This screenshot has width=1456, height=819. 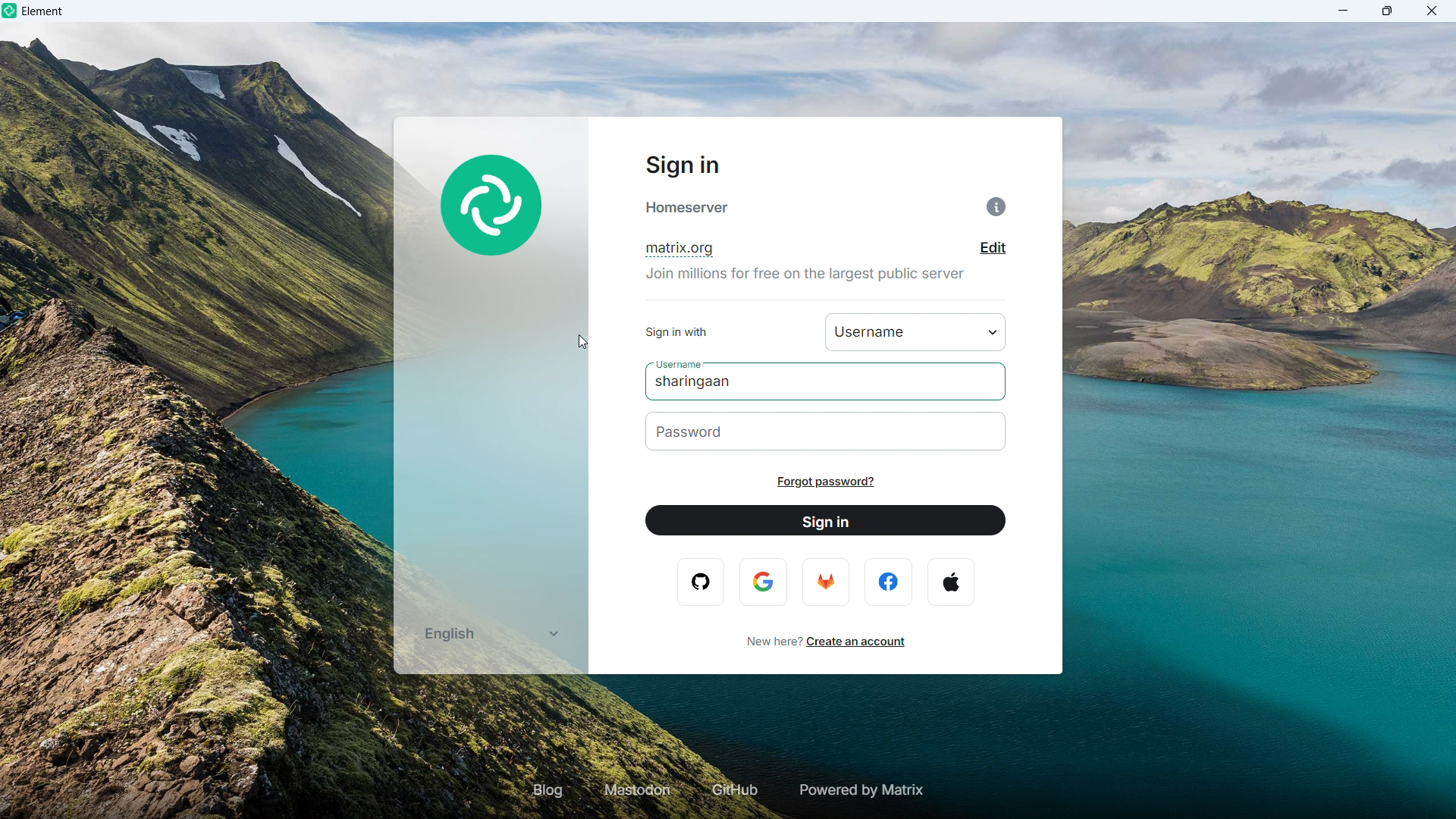 What do you see at coordinates (493, 208) in the screenshot?
I see `element Logo ` at bounding box center [493, 208].